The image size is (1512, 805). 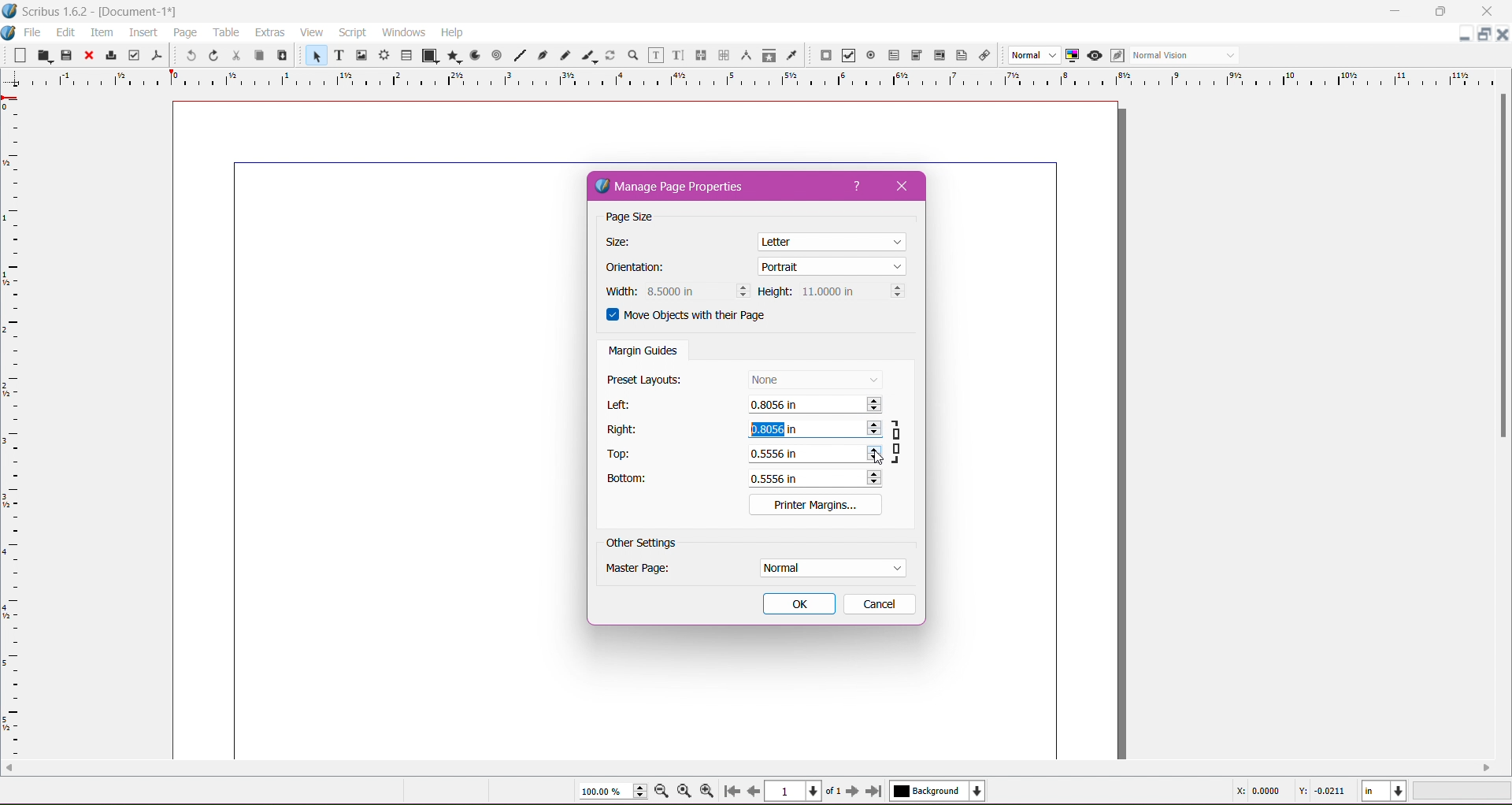 I want to click on Item, so click(x=101, y=32).